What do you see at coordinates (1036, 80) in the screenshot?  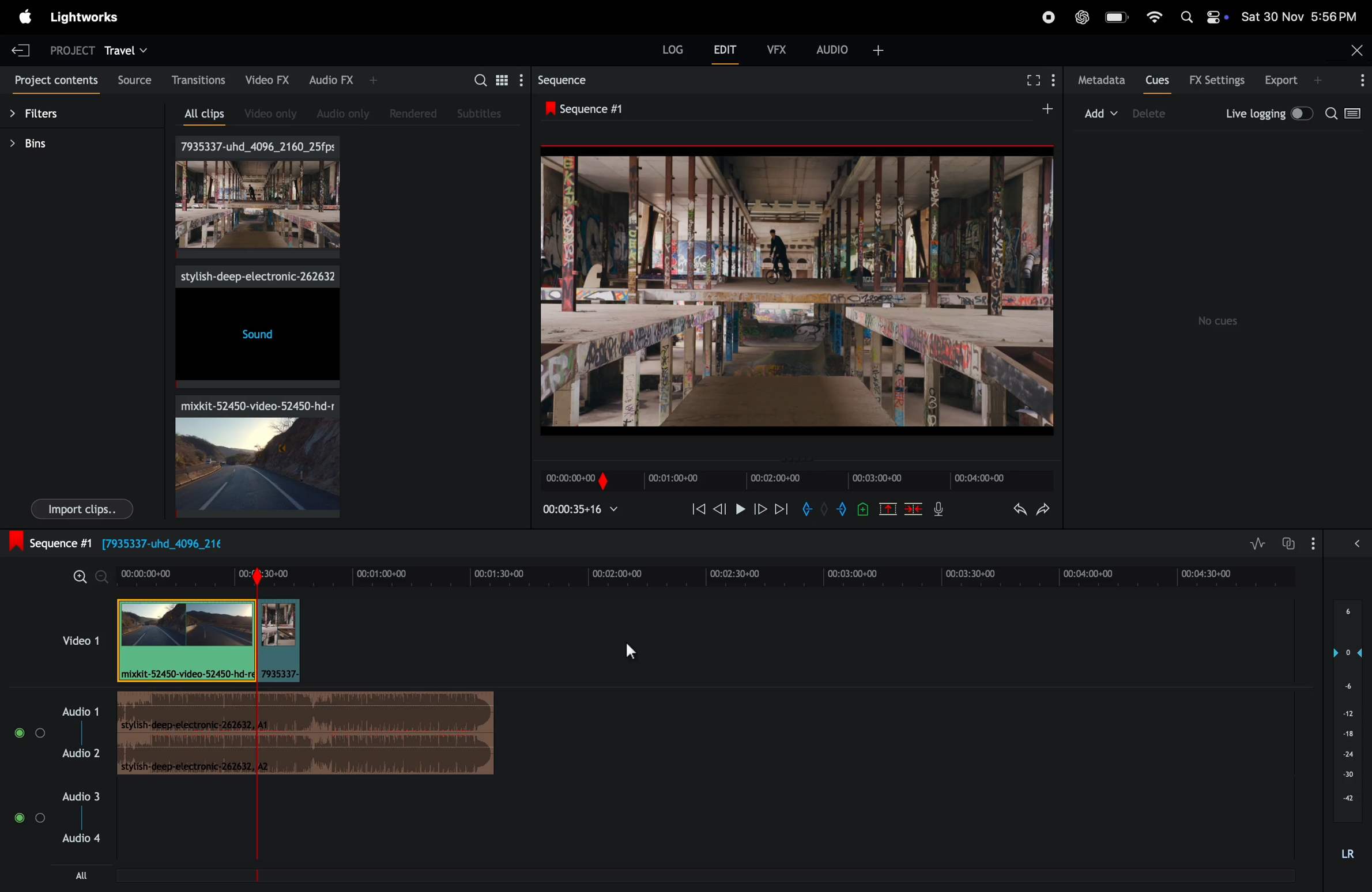 I see `fullscreen` at bounding box center [1036, 80].